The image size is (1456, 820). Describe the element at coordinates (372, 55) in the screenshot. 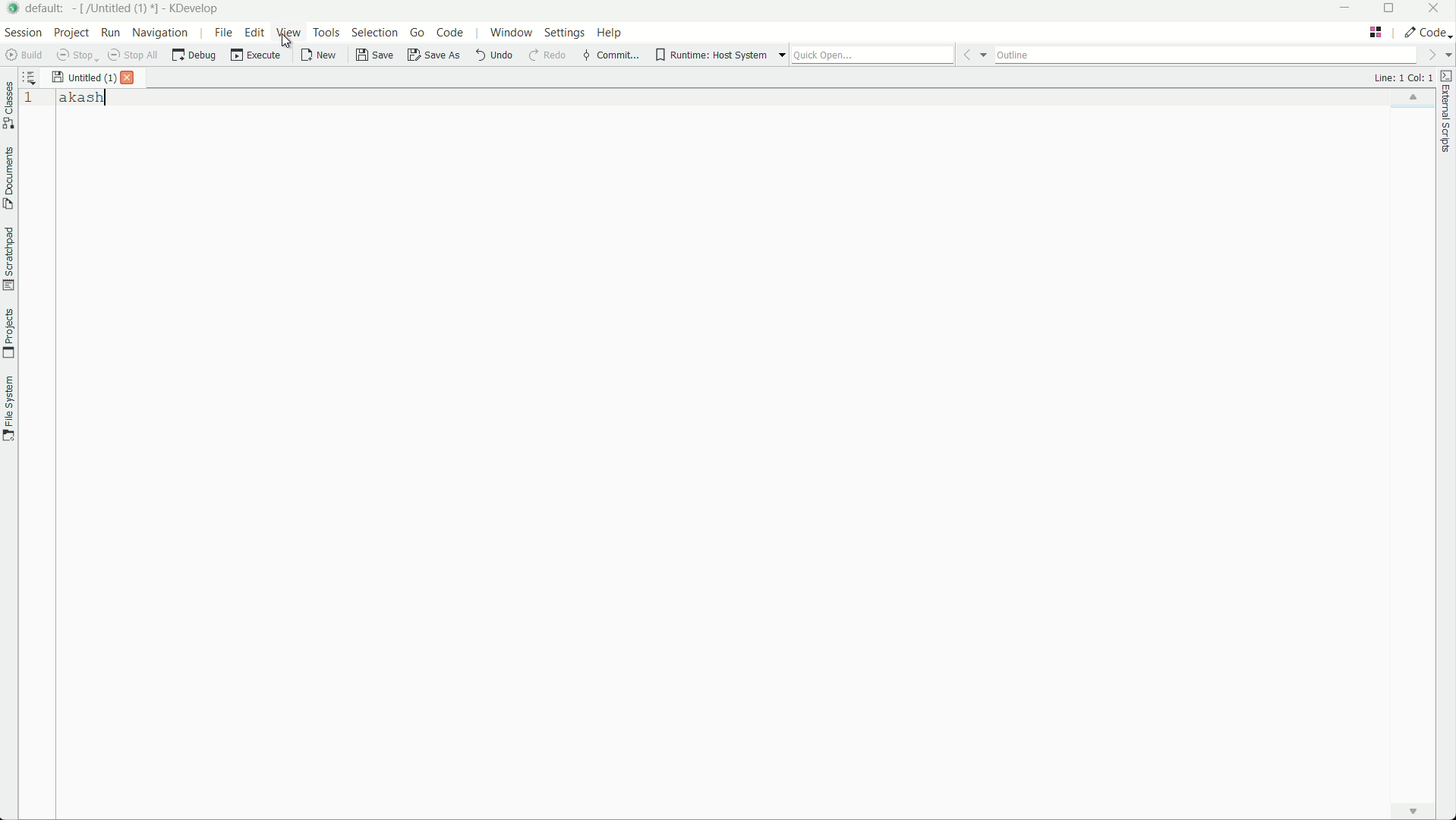

I see `save` at that location.